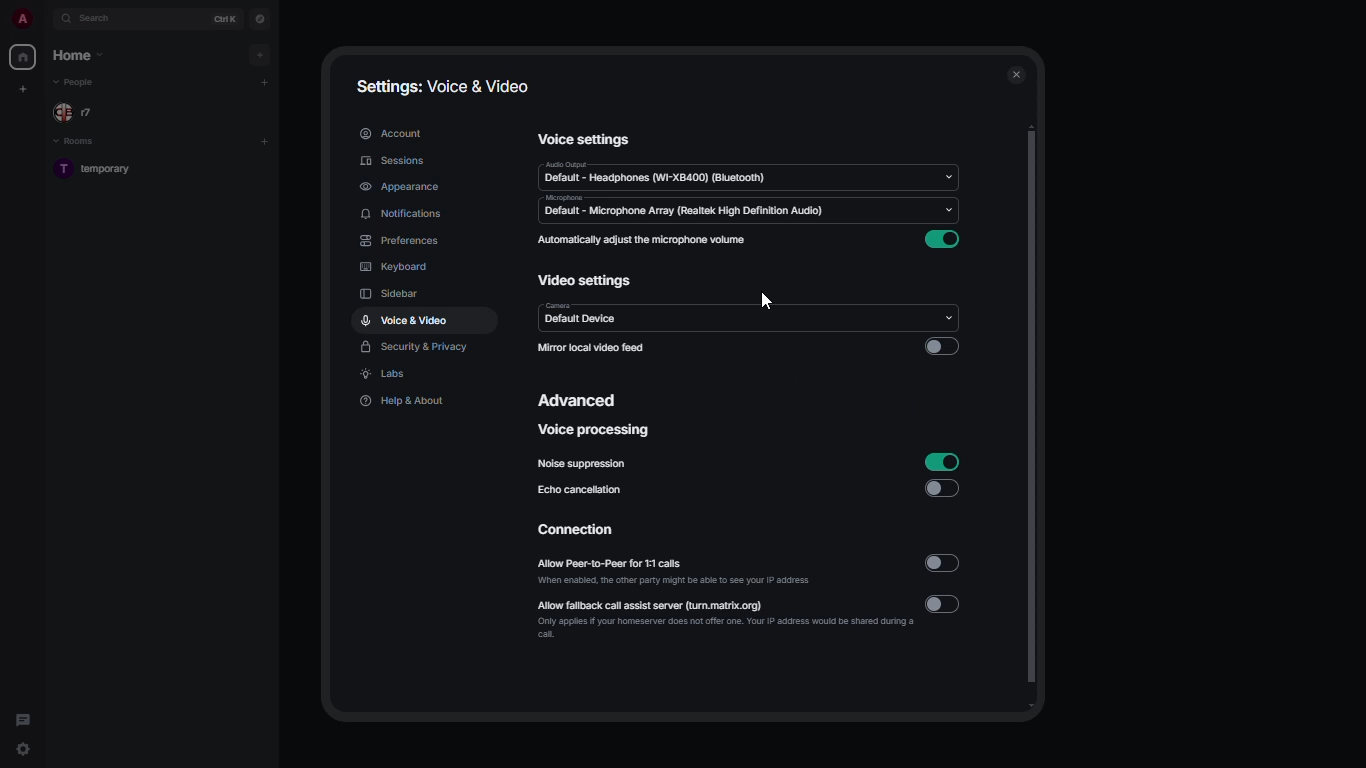 Image resolution: width=1366 pixels, height=768 pixels. Describe the element at coordinates (258, 55) in the screenshot. I see `add` at that location.